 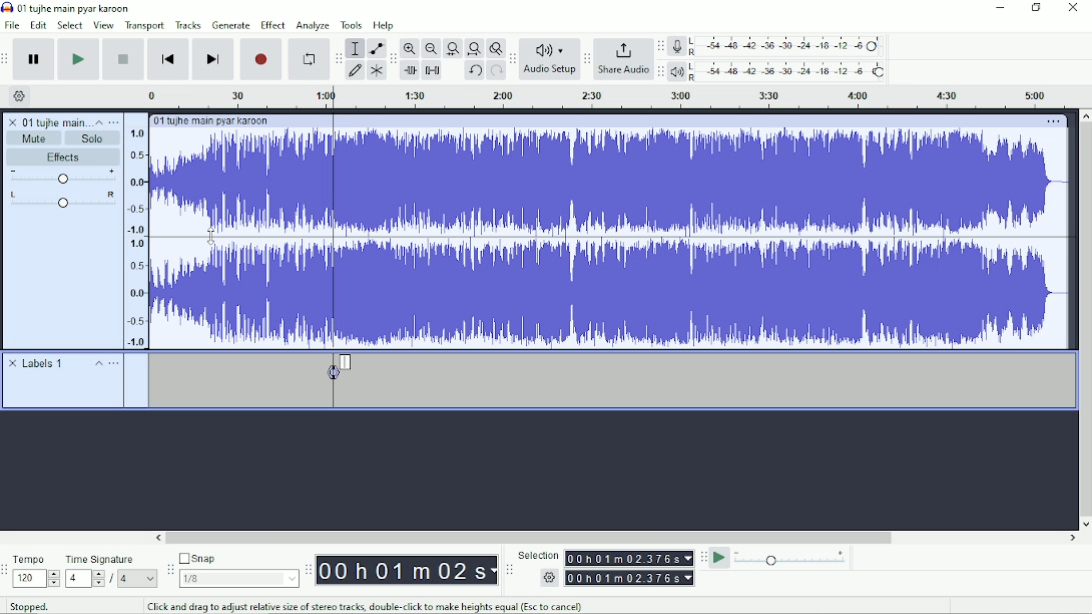 What do you see at coordinates (169, 569) in the screenshot?
I see `Audacity snapping toolbar` at bounding box center [169, 569].